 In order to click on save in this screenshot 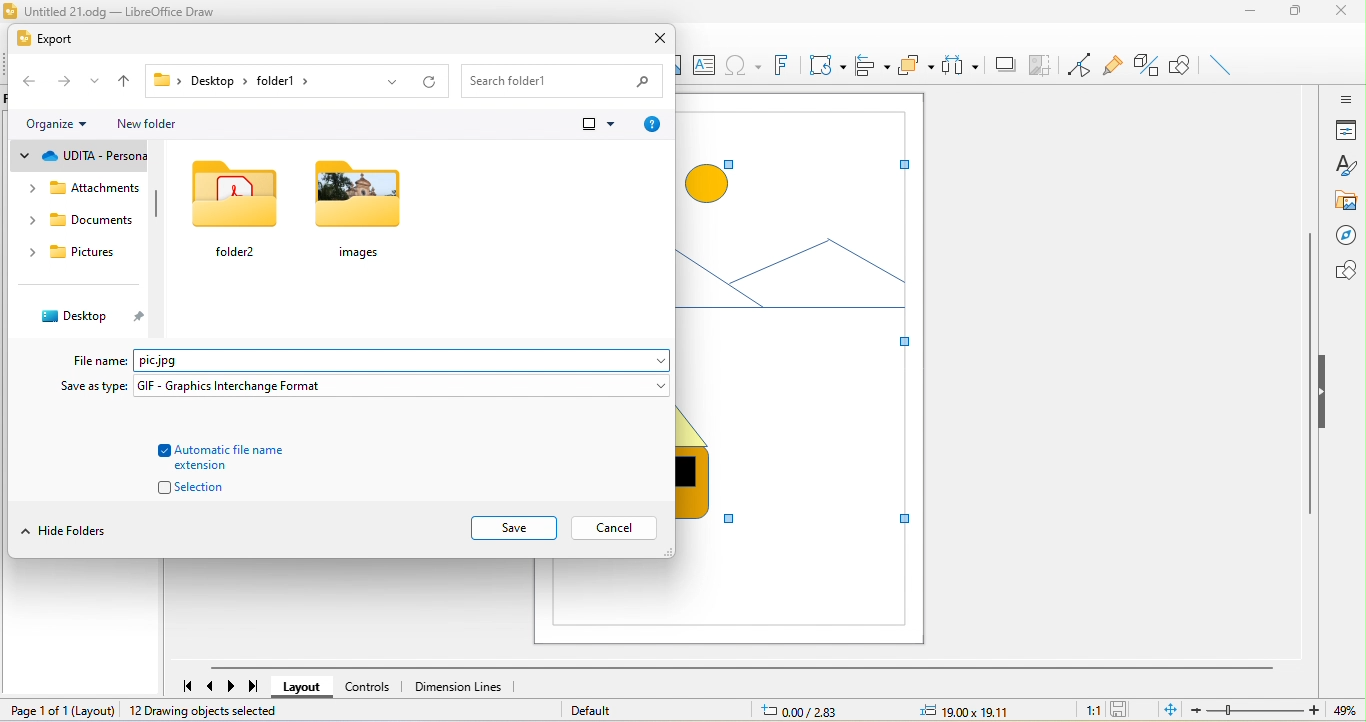, I will do `click(1123, 710)`.